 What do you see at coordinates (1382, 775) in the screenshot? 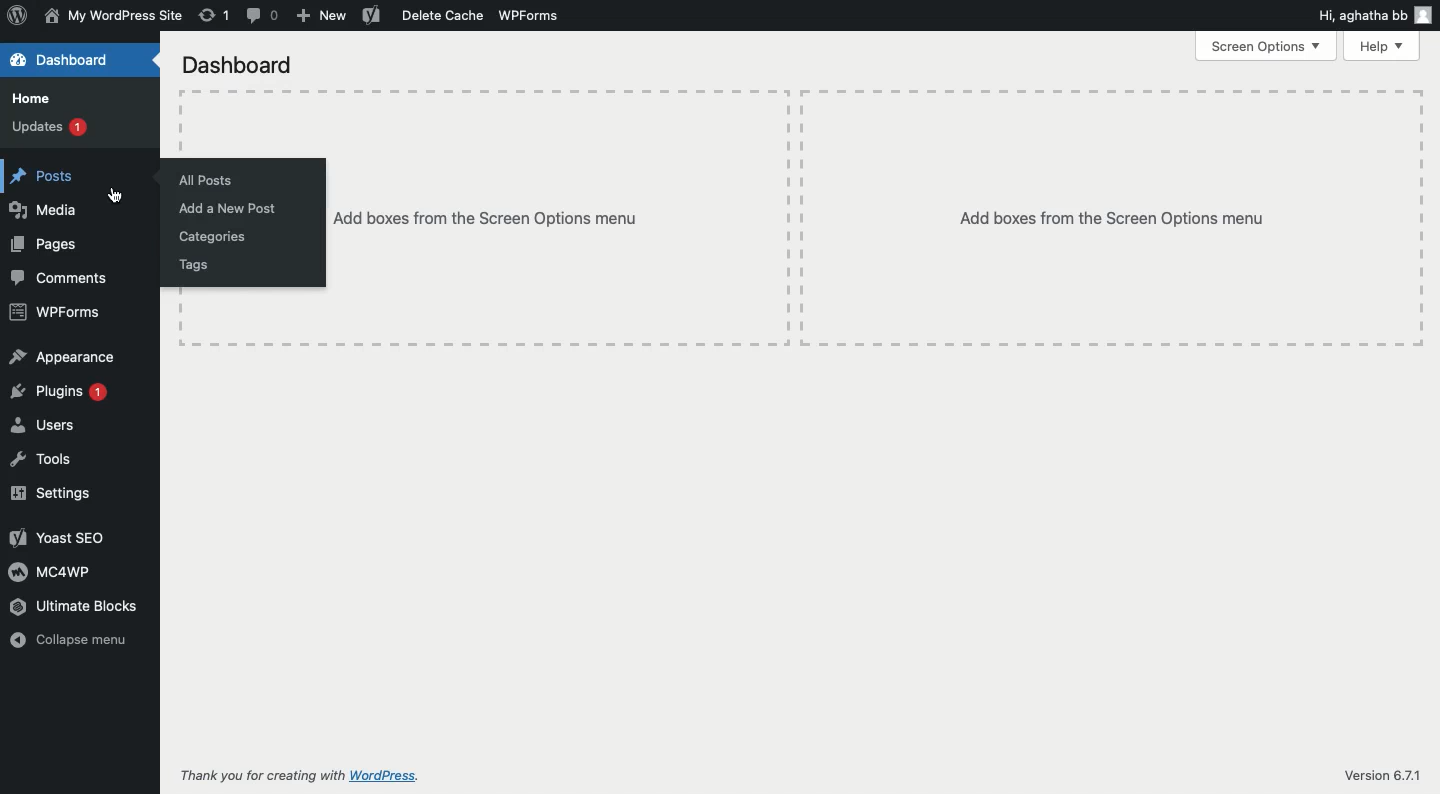
I see `Version 6.7.1` at bounding box center [1382, 775].